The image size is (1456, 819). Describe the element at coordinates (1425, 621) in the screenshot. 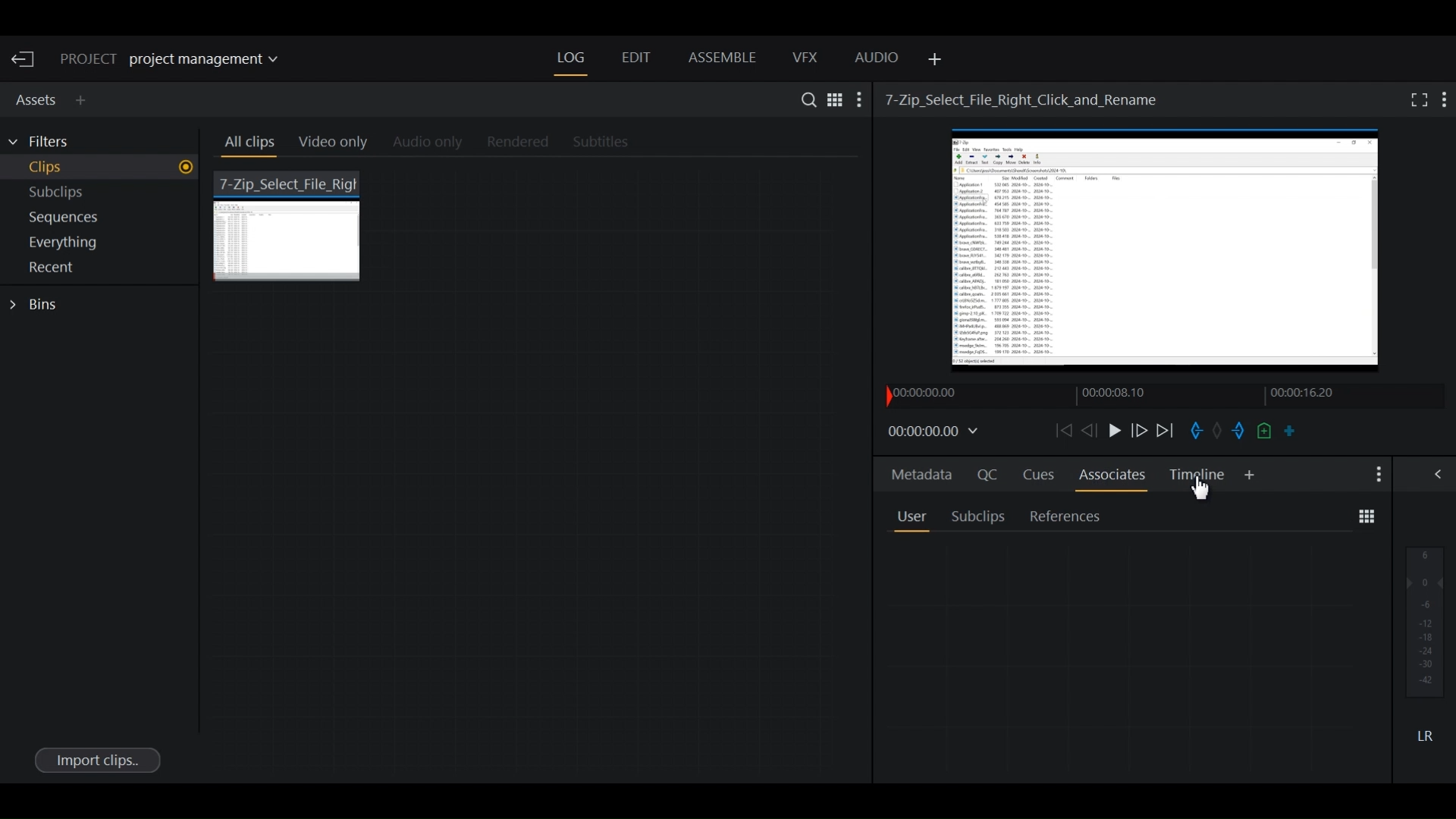

I see `Audio output levels` at that location.